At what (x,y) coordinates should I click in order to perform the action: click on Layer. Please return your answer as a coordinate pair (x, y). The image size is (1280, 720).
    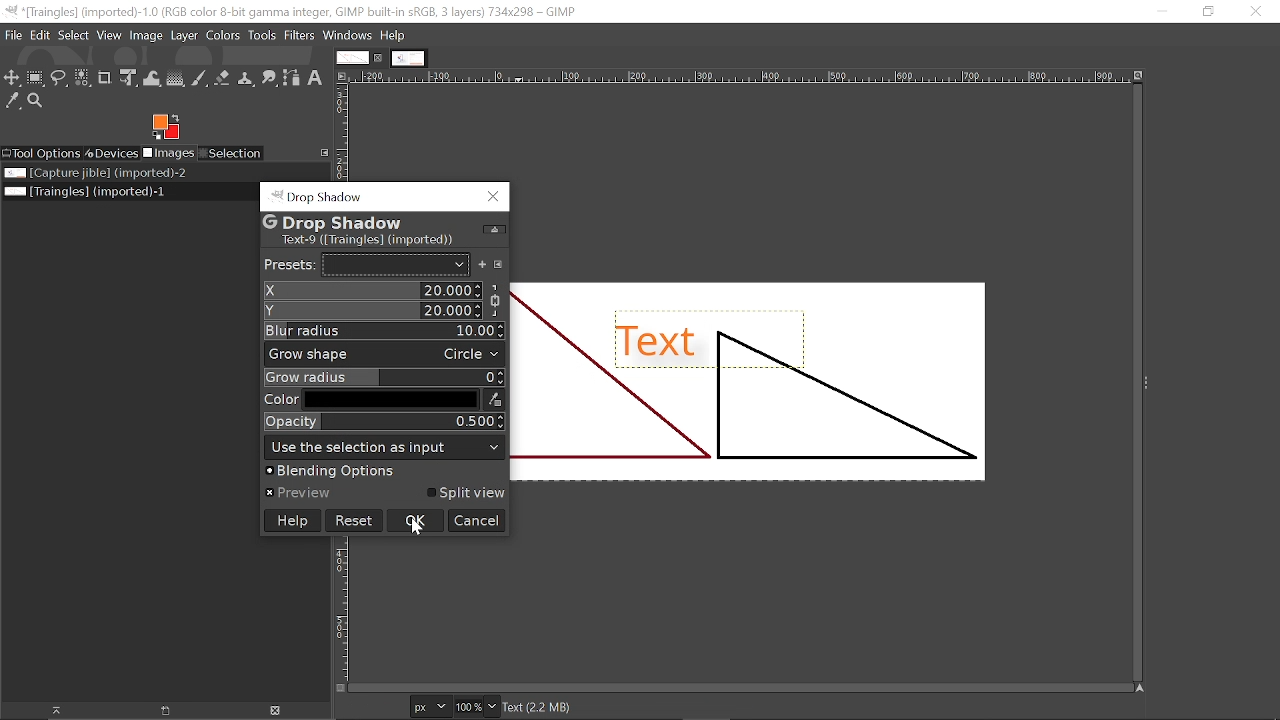
    Looking at the image, I should click on (184, 36).